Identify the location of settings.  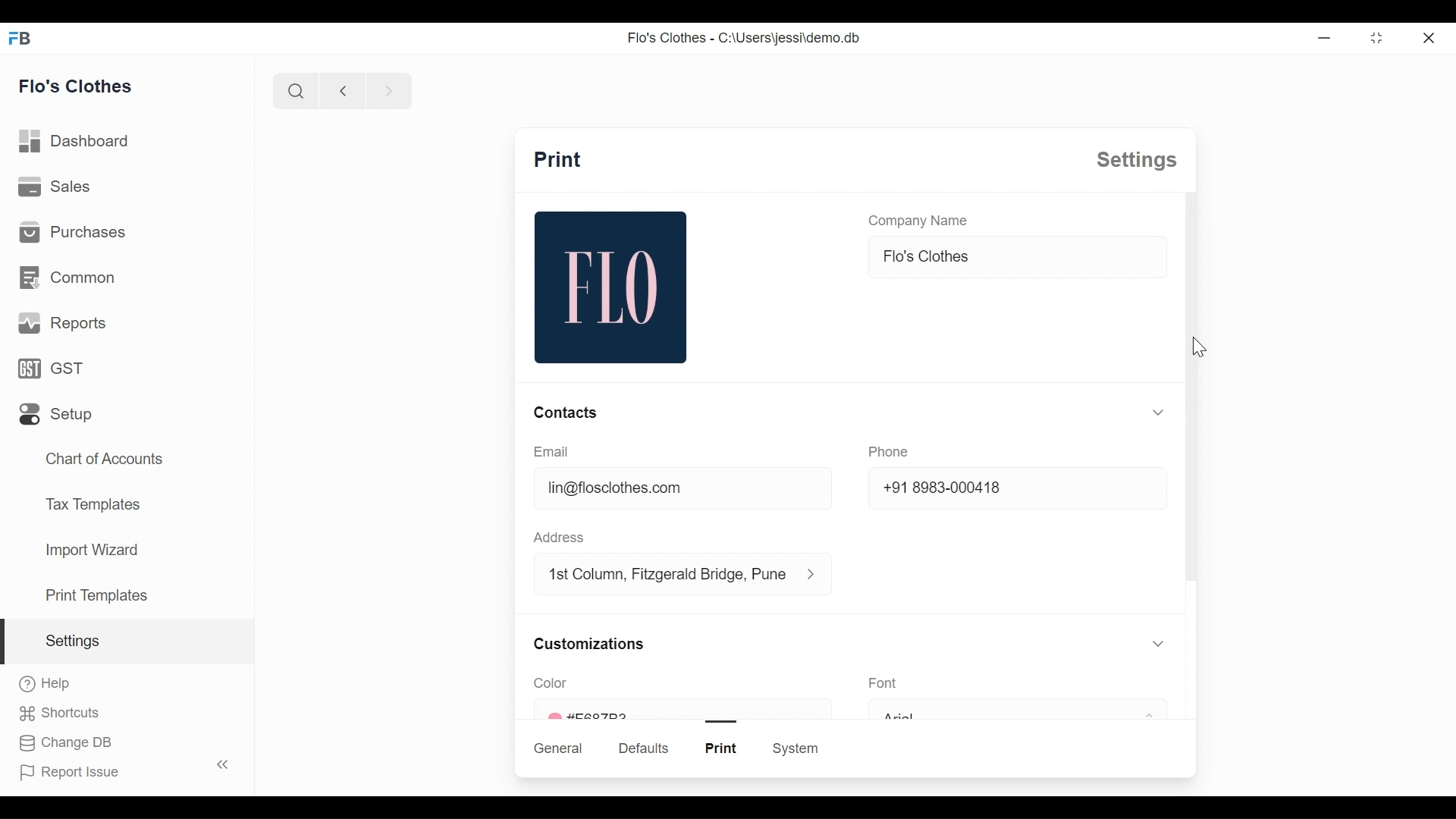
(71, 641).